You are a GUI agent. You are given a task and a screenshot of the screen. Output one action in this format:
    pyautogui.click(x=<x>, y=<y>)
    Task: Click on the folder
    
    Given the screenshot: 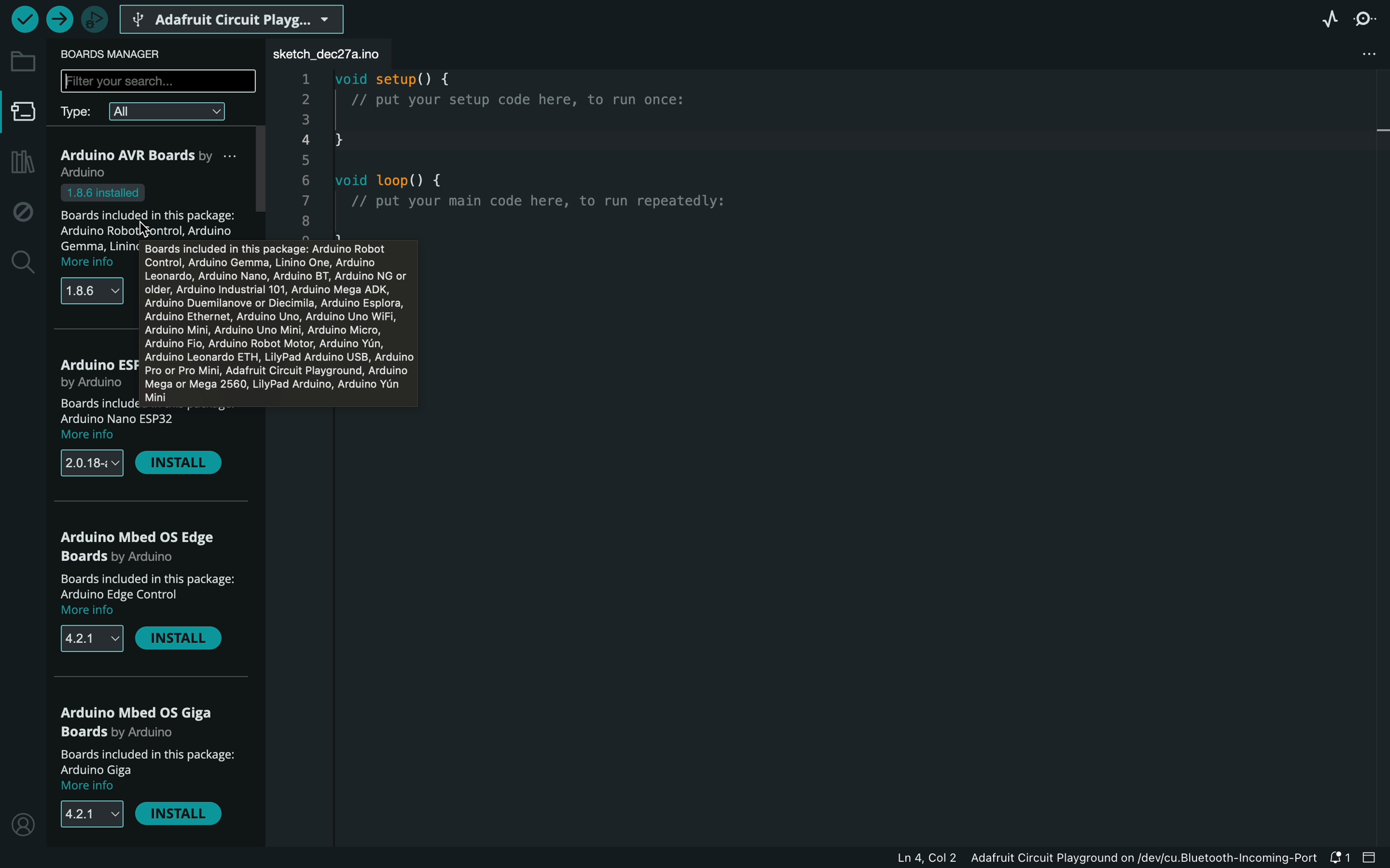 What is the action you would take?
    pyautogui.click(x=22, y=61)
    